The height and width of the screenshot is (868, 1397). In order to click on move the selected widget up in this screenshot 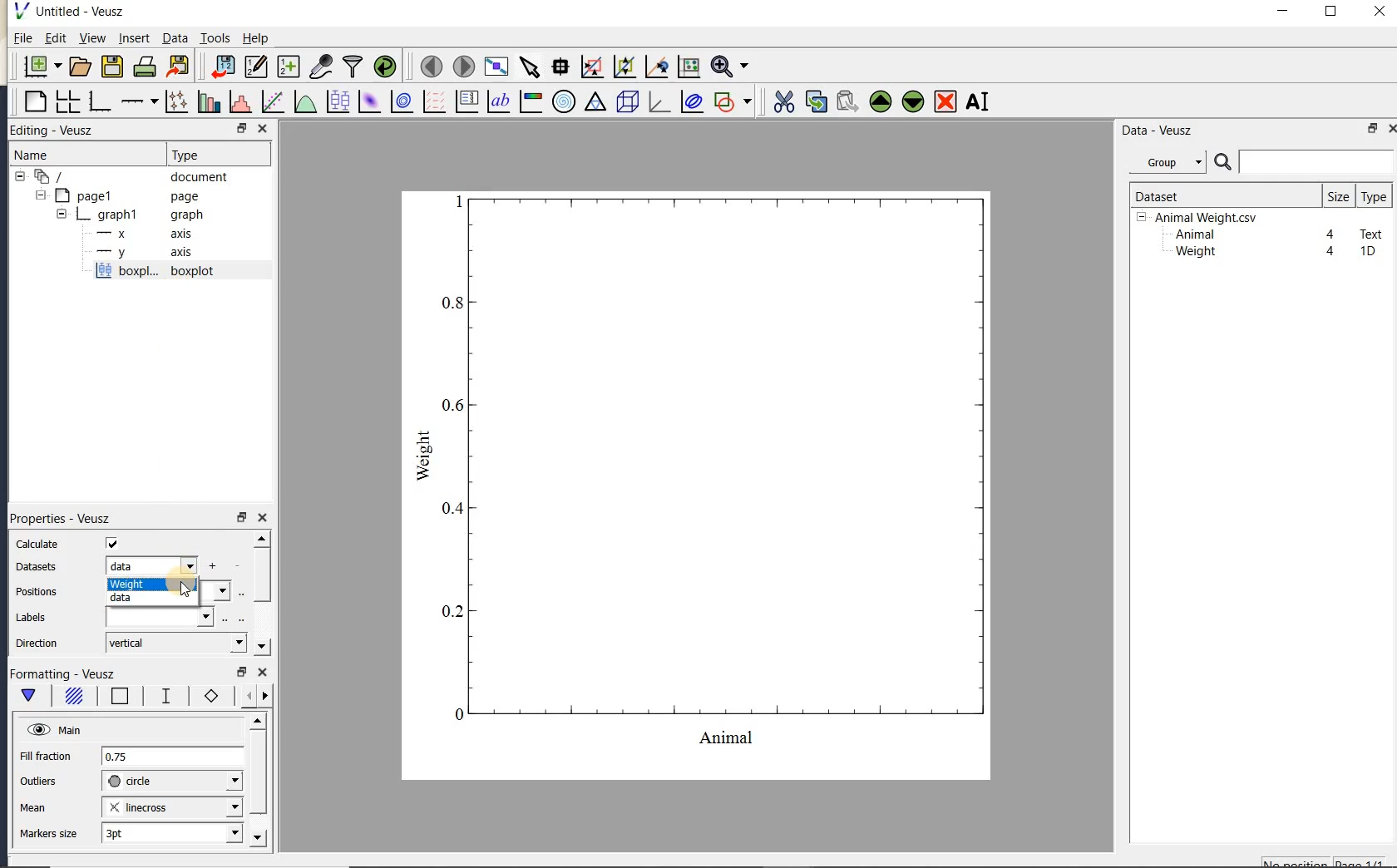, I will do `click(881, 102)`.